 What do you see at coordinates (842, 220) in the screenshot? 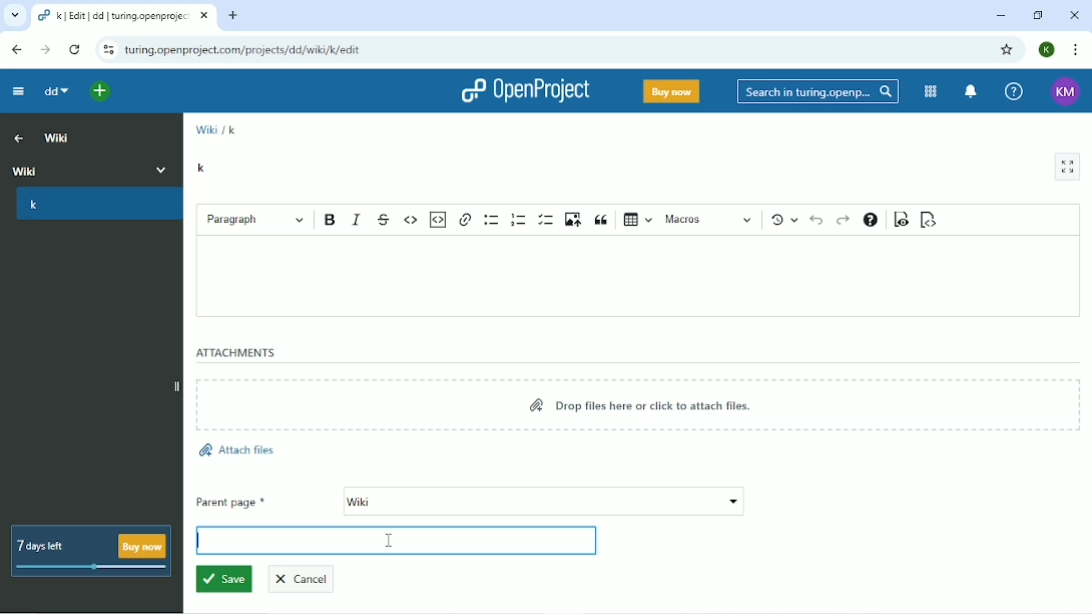
I see `Redo` at bounding box center [842, 220].